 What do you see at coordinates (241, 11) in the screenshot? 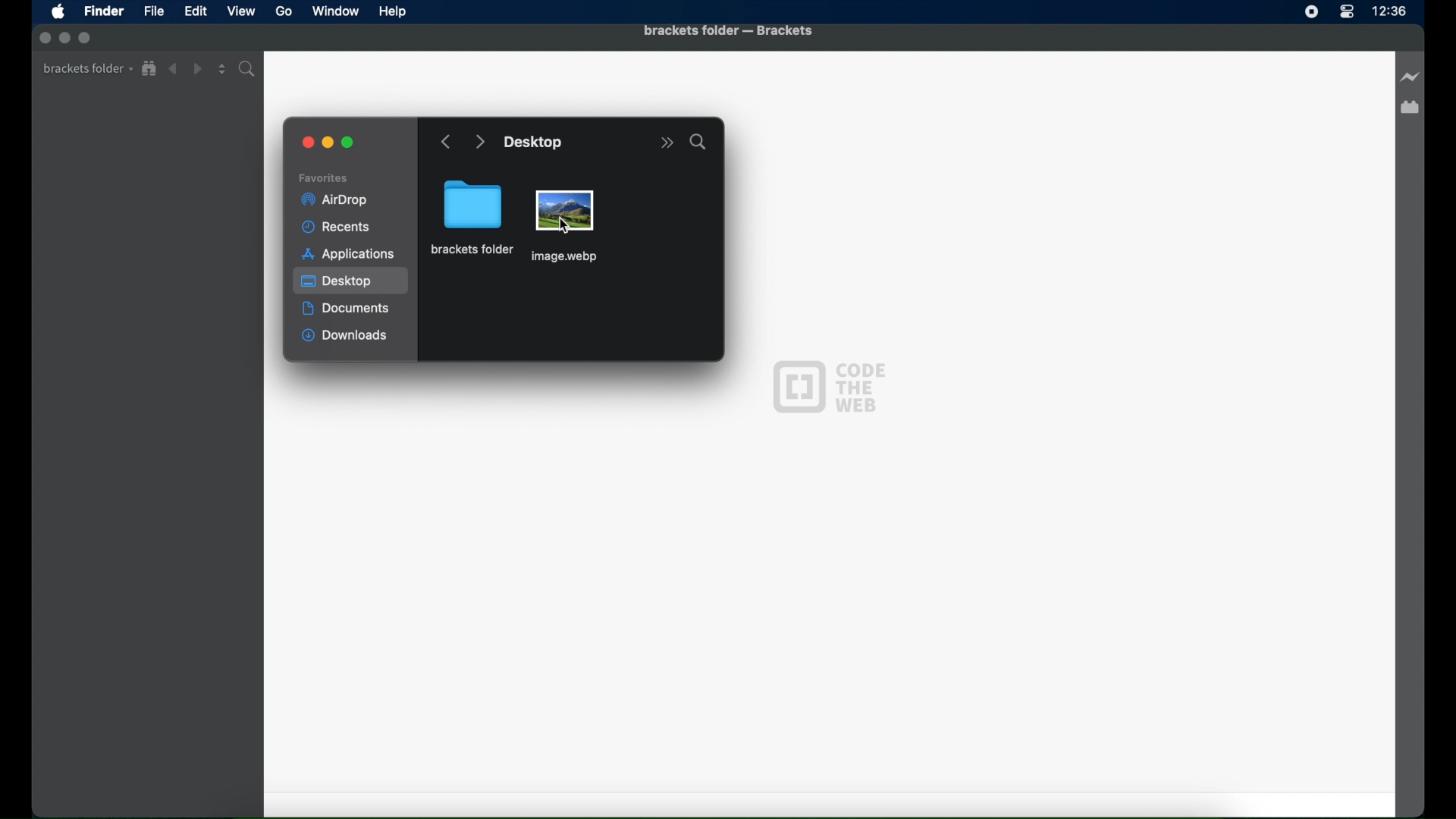
I see `View` at bounding box center [241, 11].